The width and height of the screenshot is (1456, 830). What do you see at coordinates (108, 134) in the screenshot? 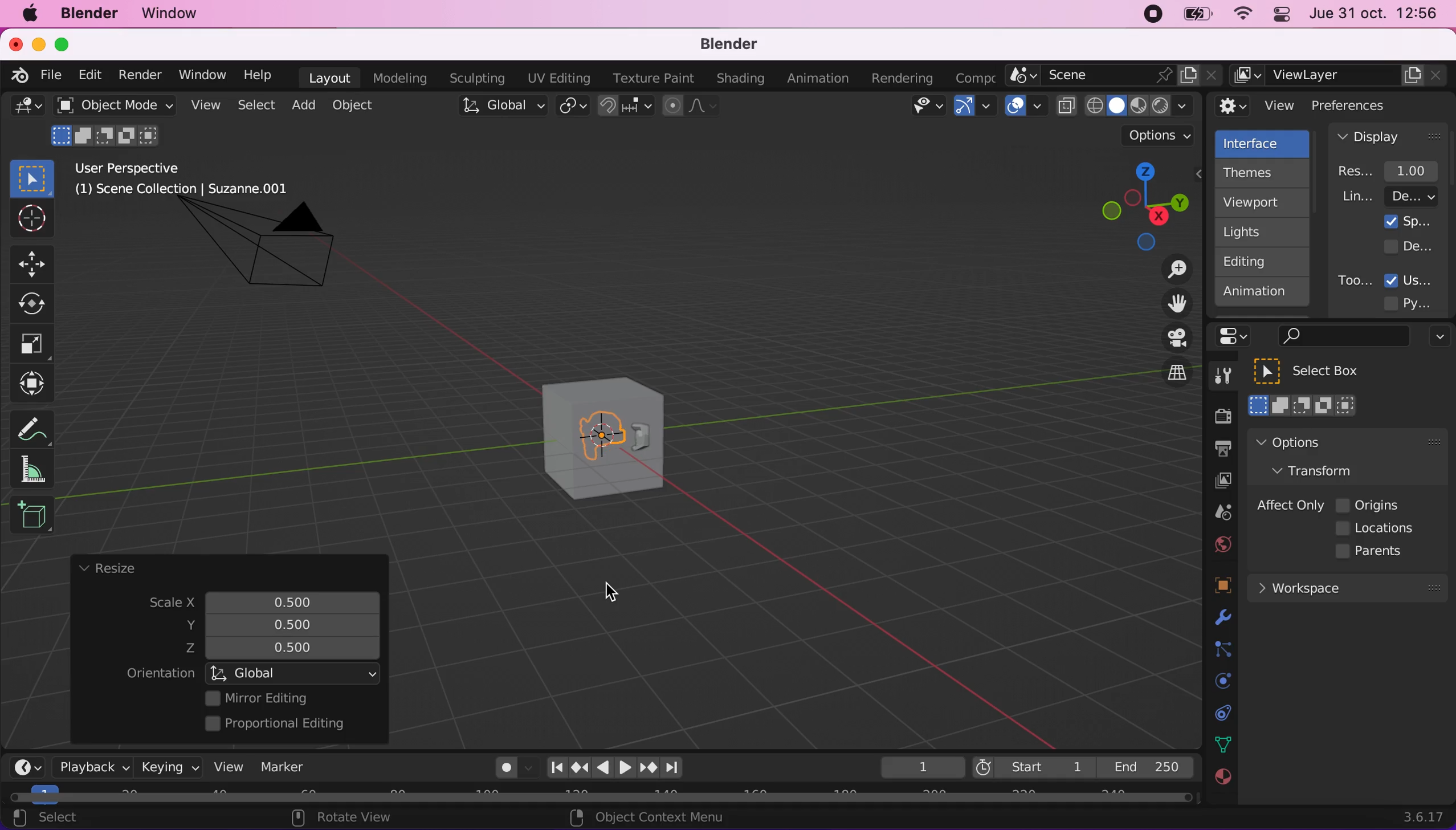
I see `mode` at bounding box center [108, 134].